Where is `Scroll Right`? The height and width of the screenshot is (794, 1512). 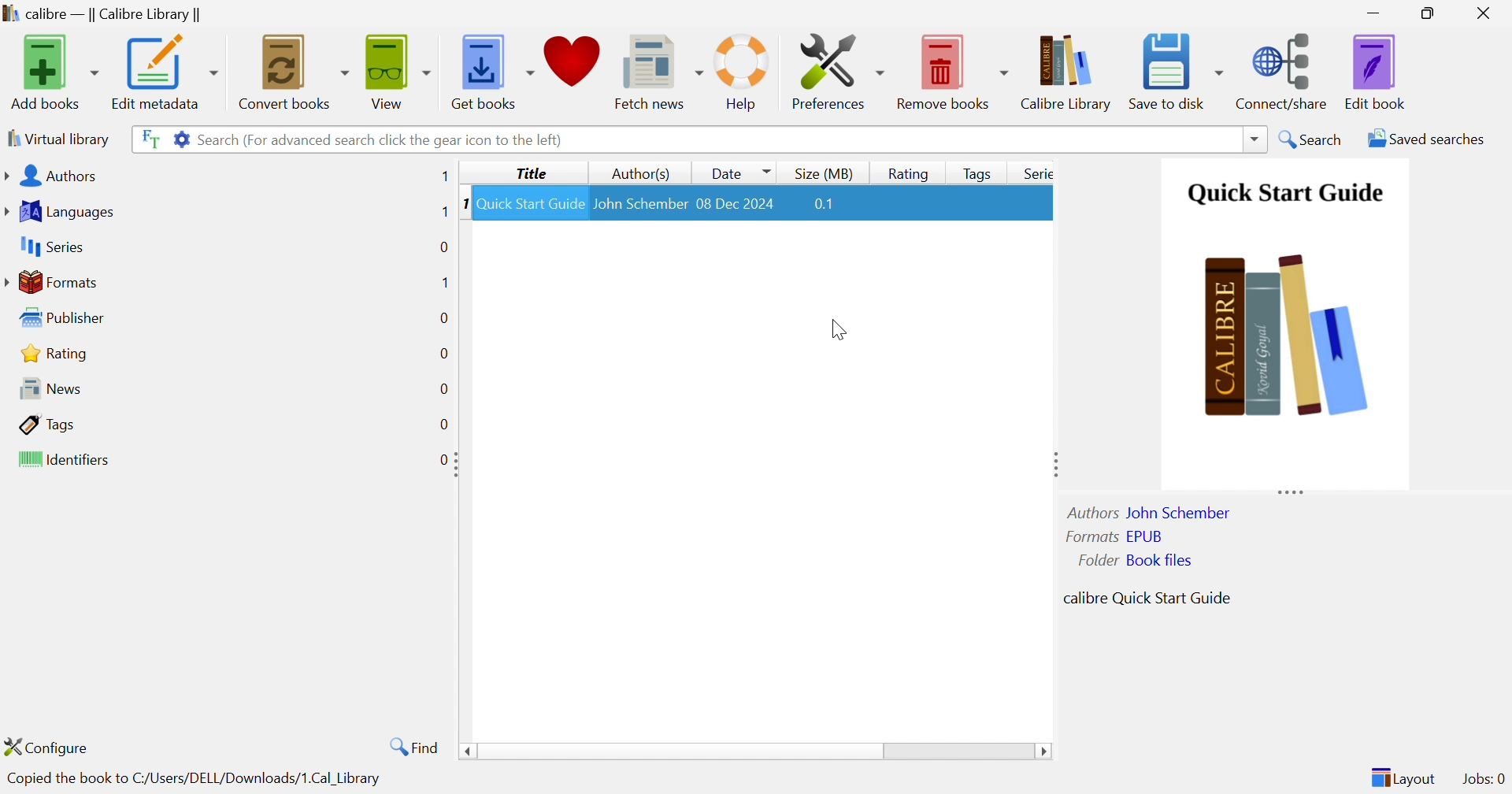
Scroll Right is located at coordinates (1044, 752).